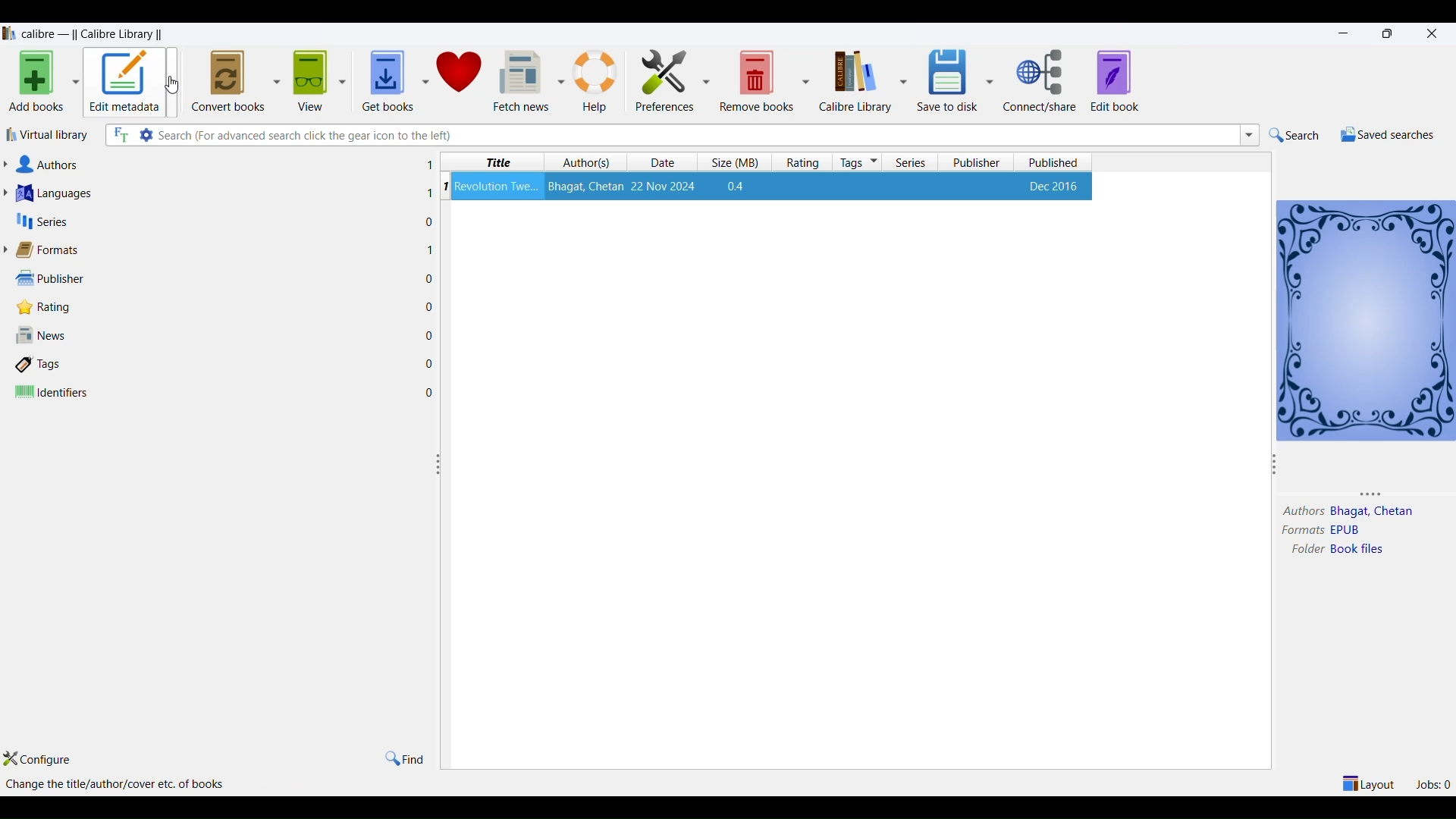  Describe the element at coordinates (734, 163) in the screenshot. I see `size` at that location.